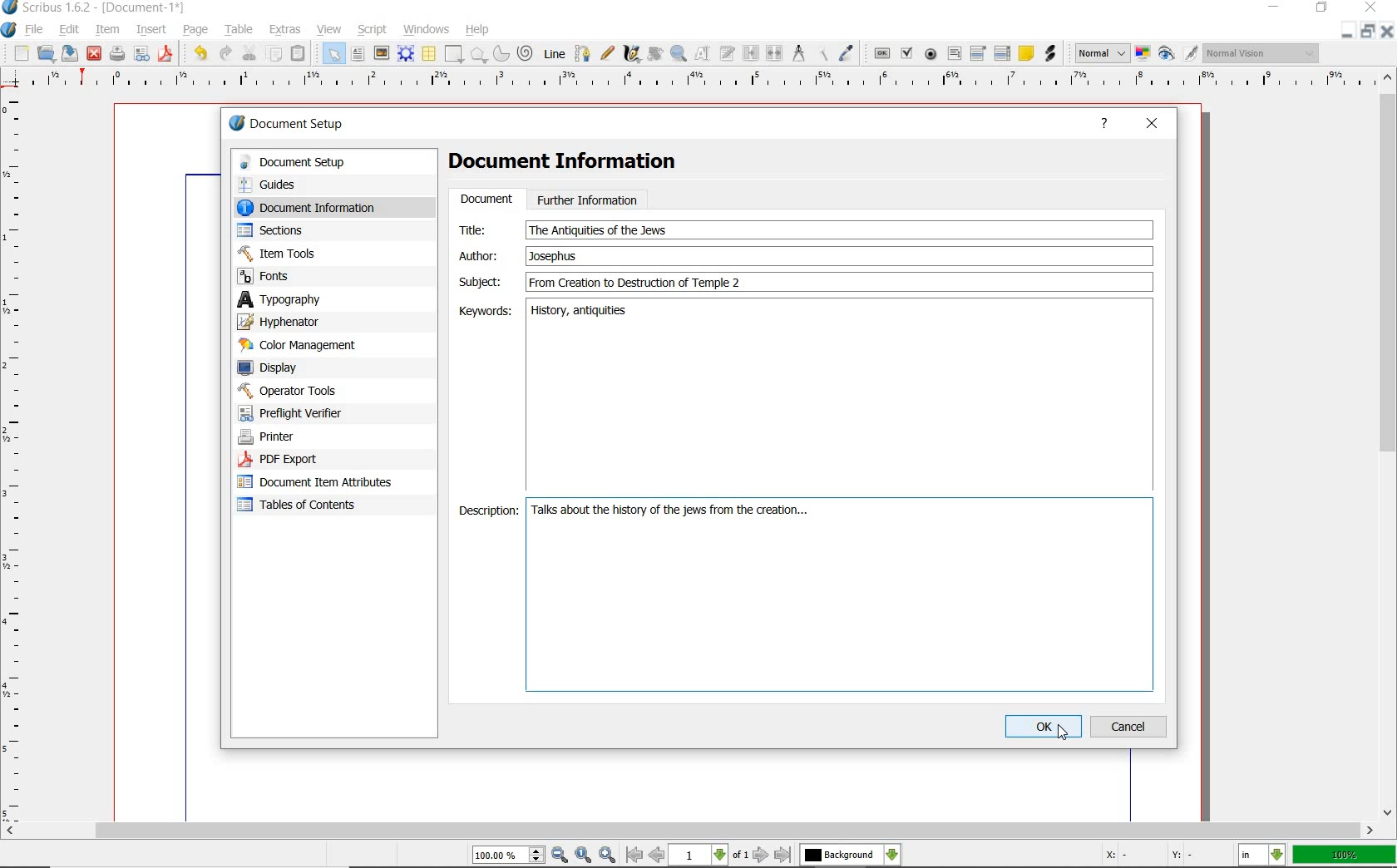  What do you see at coordinates (301, 52) in the screenshot?
I see `paste` at bounding box center [301, 52].